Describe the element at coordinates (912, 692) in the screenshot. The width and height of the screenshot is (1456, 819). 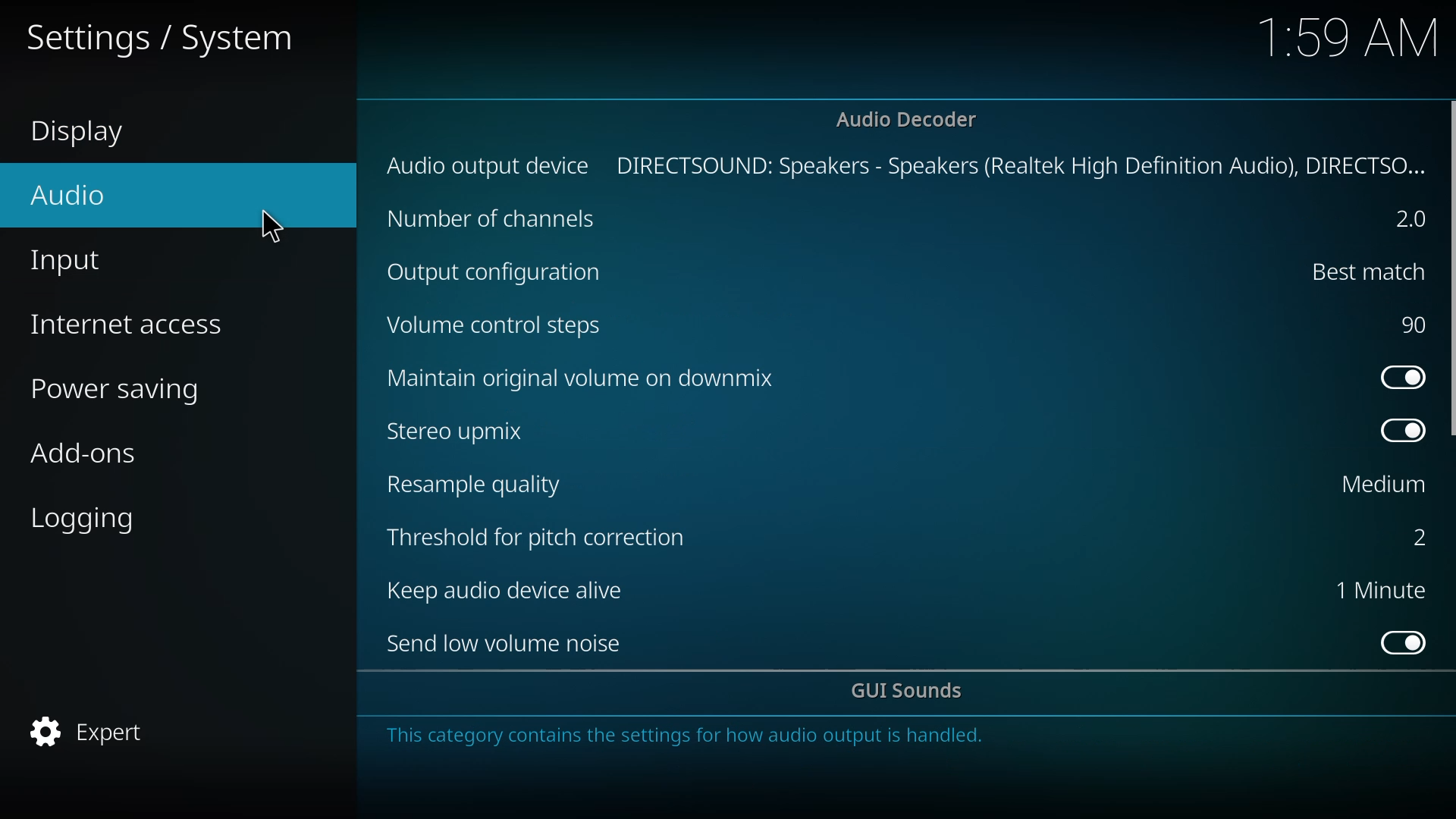
I see `gui sounds` at that location.